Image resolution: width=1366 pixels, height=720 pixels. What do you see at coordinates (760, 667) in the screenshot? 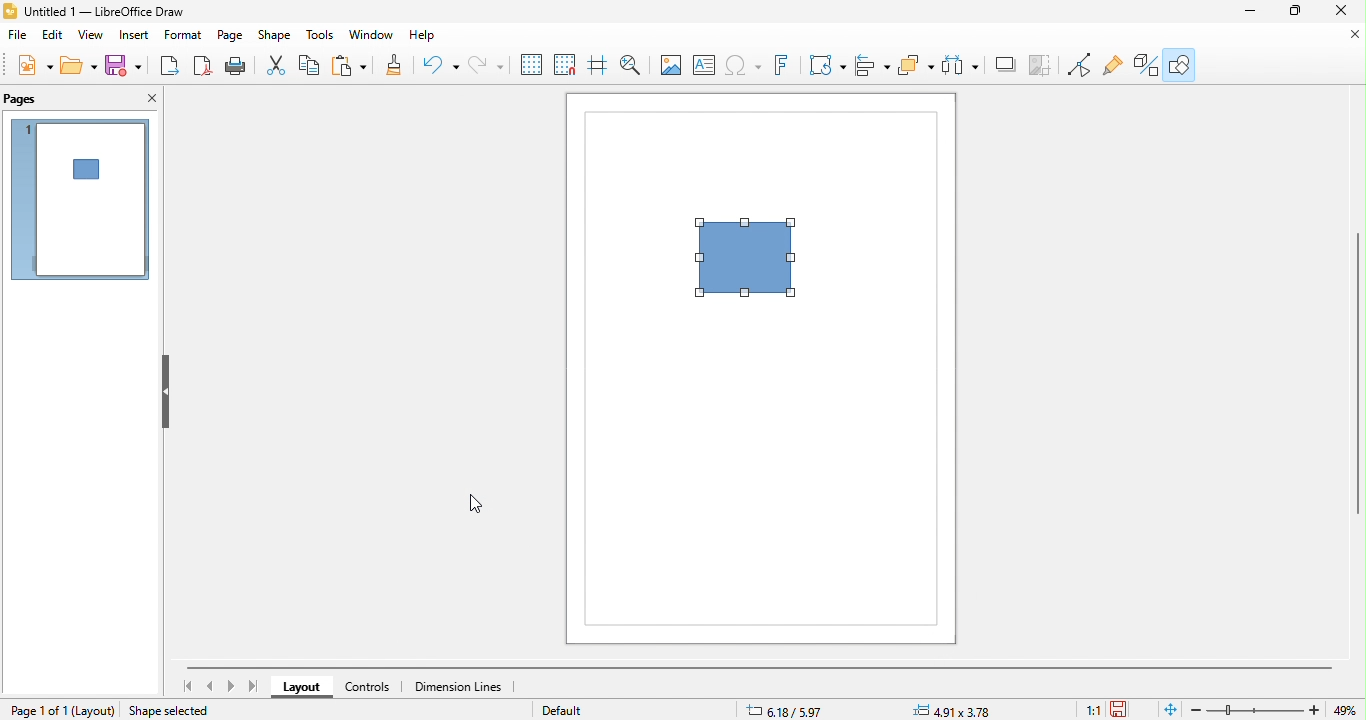
I see `horizontal scroll bar` at bounding box center [760, 667].